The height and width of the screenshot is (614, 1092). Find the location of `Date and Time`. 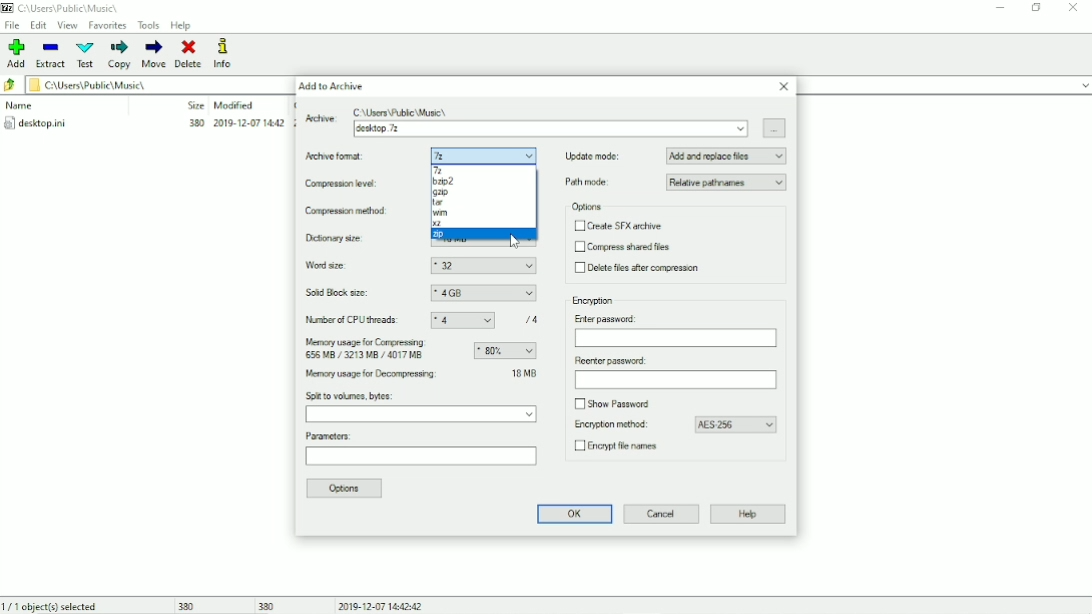

Date and Time is located at coordinates (384, 605).